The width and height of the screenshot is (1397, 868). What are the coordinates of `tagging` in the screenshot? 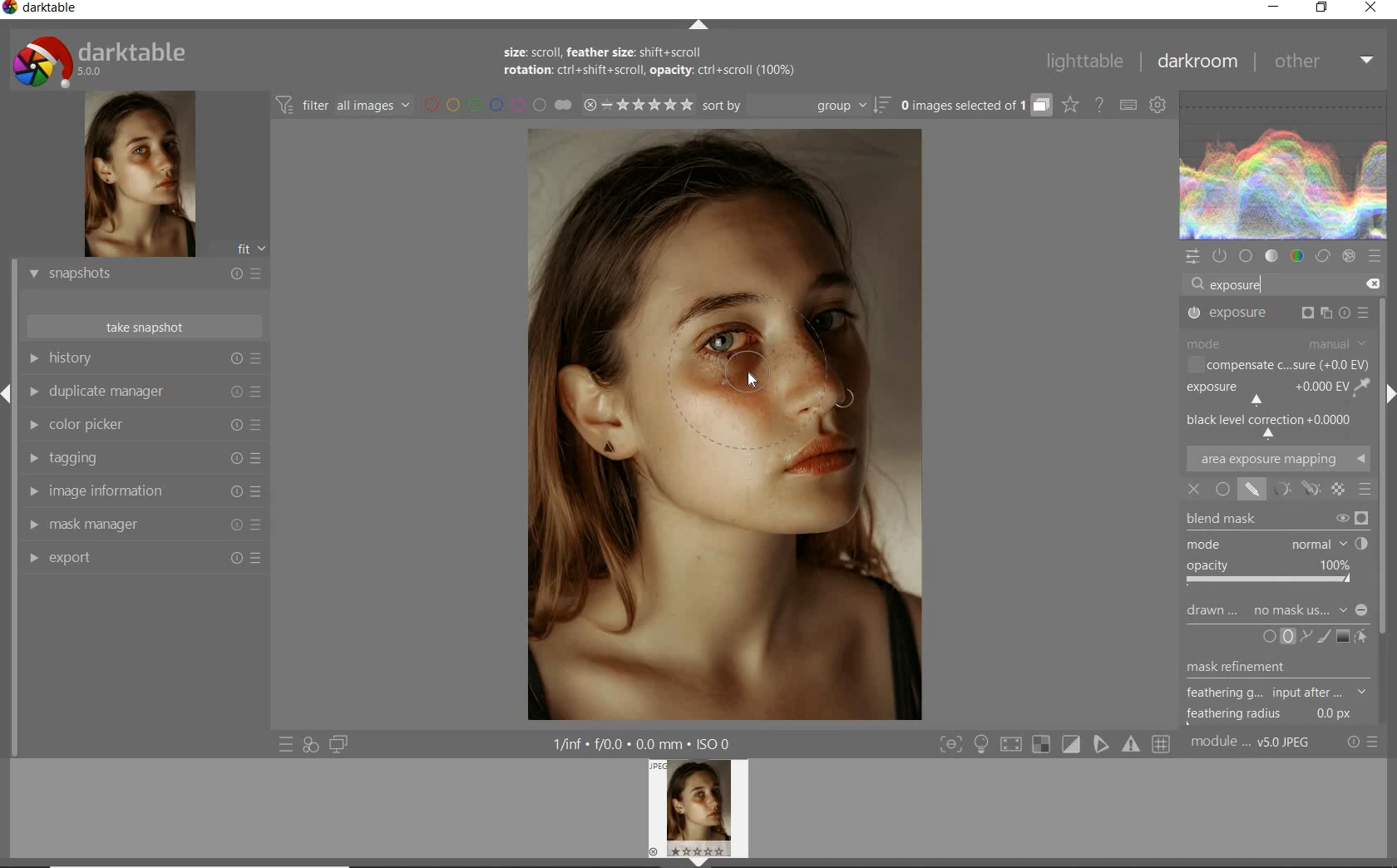 It's located at (143, 456).